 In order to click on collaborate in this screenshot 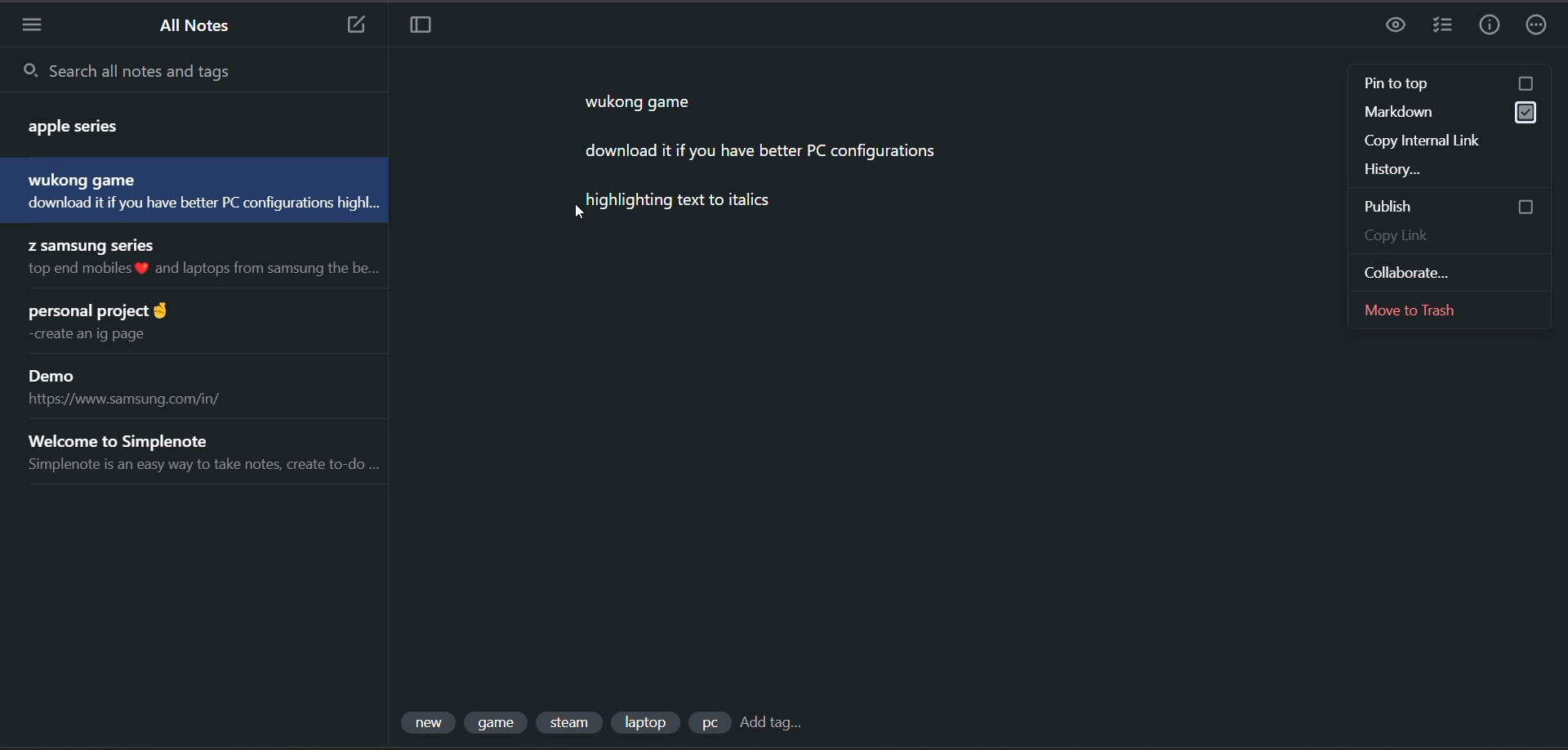, I will do `click(1425, 272)`.